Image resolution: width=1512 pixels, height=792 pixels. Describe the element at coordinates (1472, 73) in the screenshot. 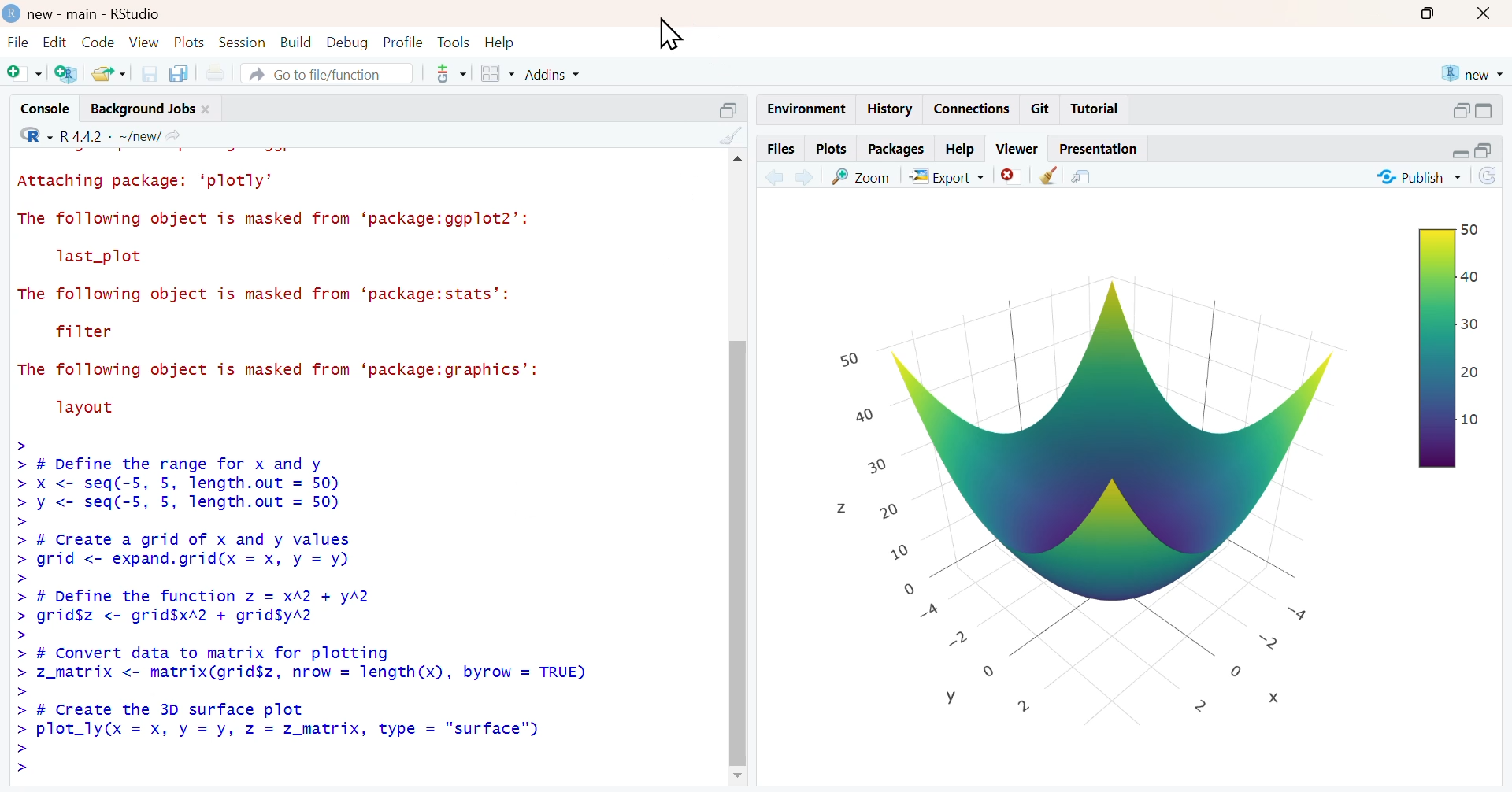

I see `new` at that location.